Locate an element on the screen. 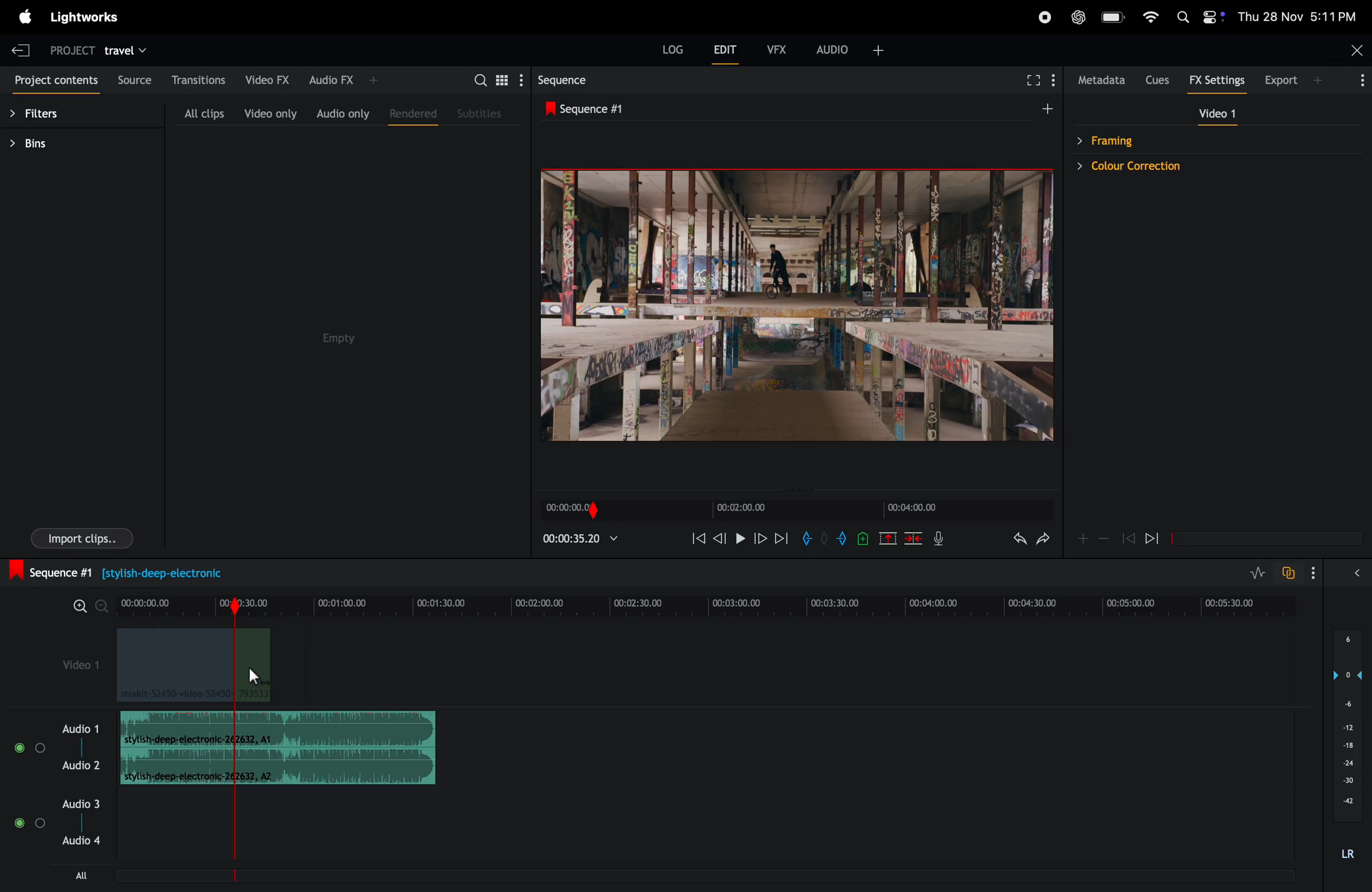 This screenshot has width=1372, height=892. video fx is located at coordinates (267, 78).